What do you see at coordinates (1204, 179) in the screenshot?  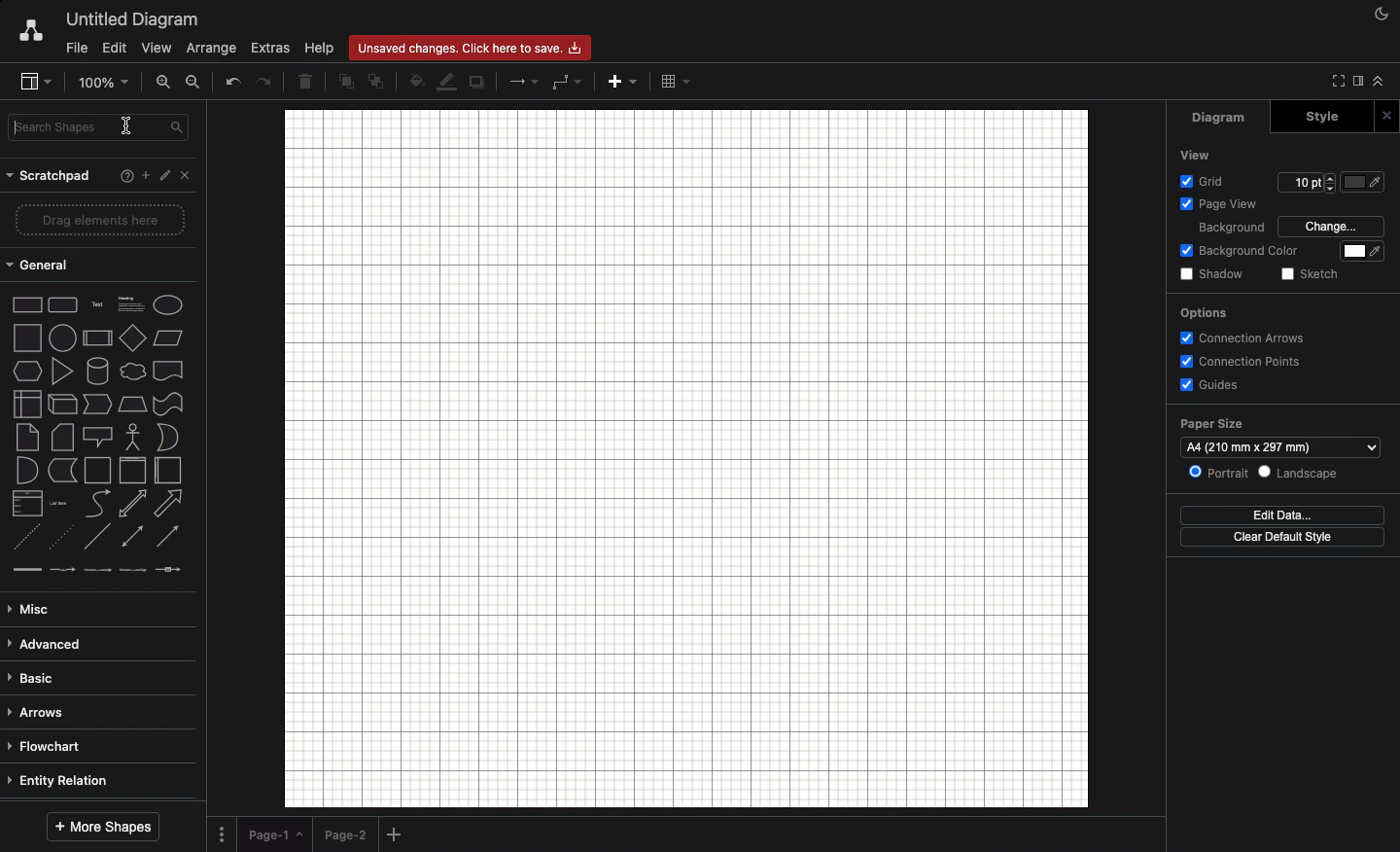 I see `Grid` at bounding box center [1204, 179].